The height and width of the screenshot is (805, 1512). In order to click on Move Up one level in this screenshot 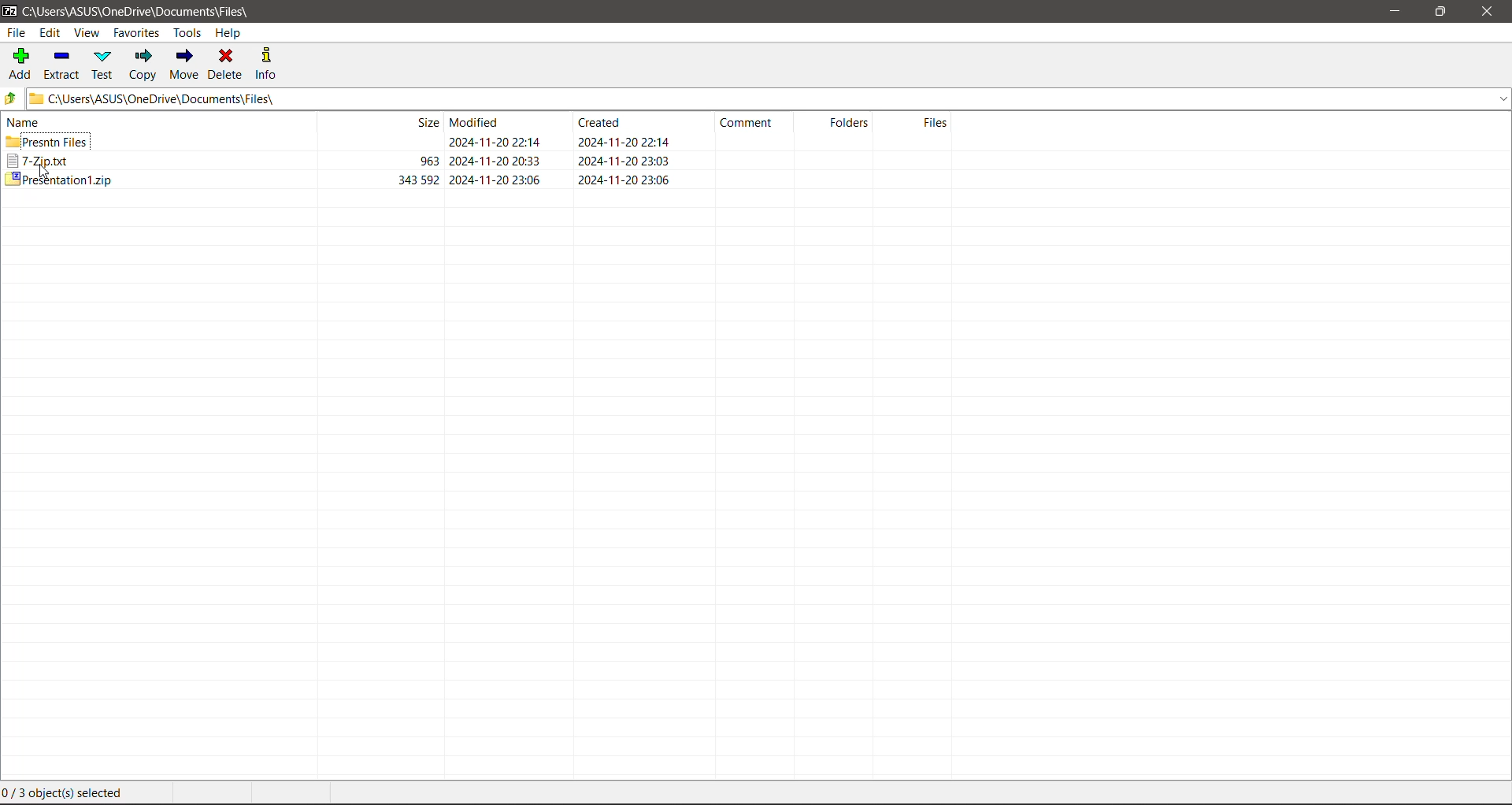, I will do `click(10, 98)`.